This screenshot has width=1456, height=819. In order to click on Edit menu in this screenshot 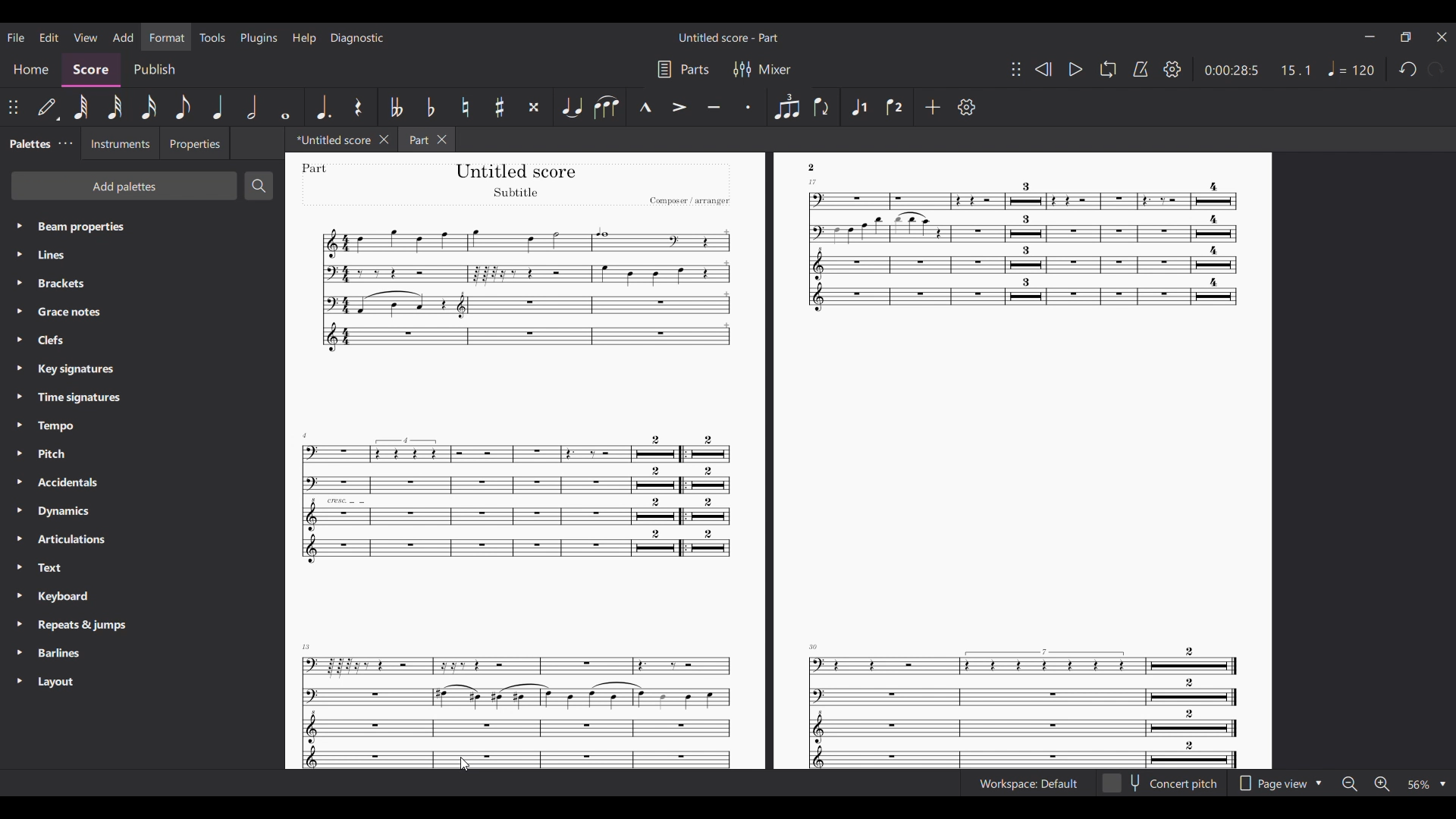, I will do `click(49, 36)`.